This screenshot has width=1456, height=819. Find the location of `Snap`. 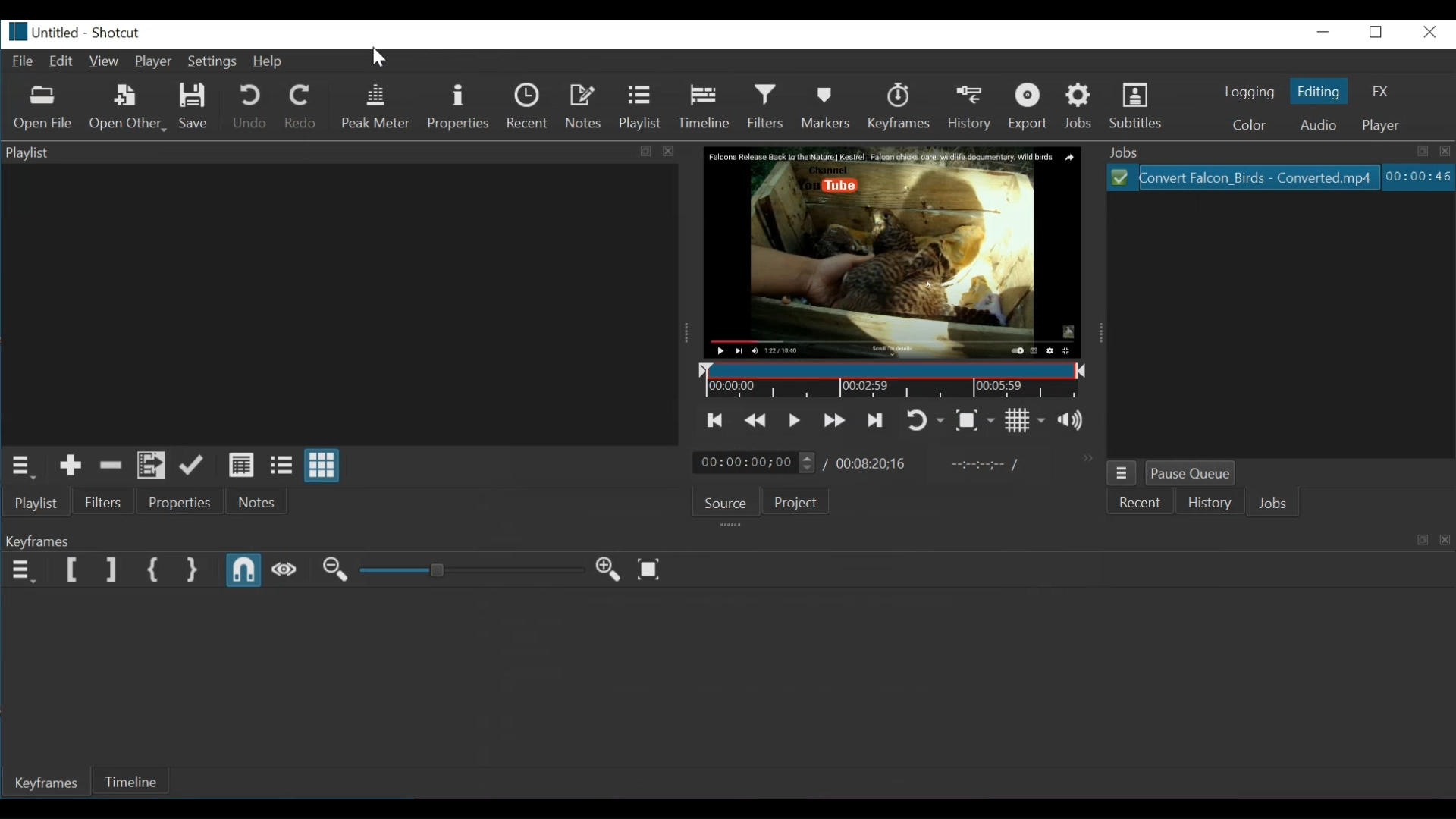

Snap is located at coordinates (244, 571).